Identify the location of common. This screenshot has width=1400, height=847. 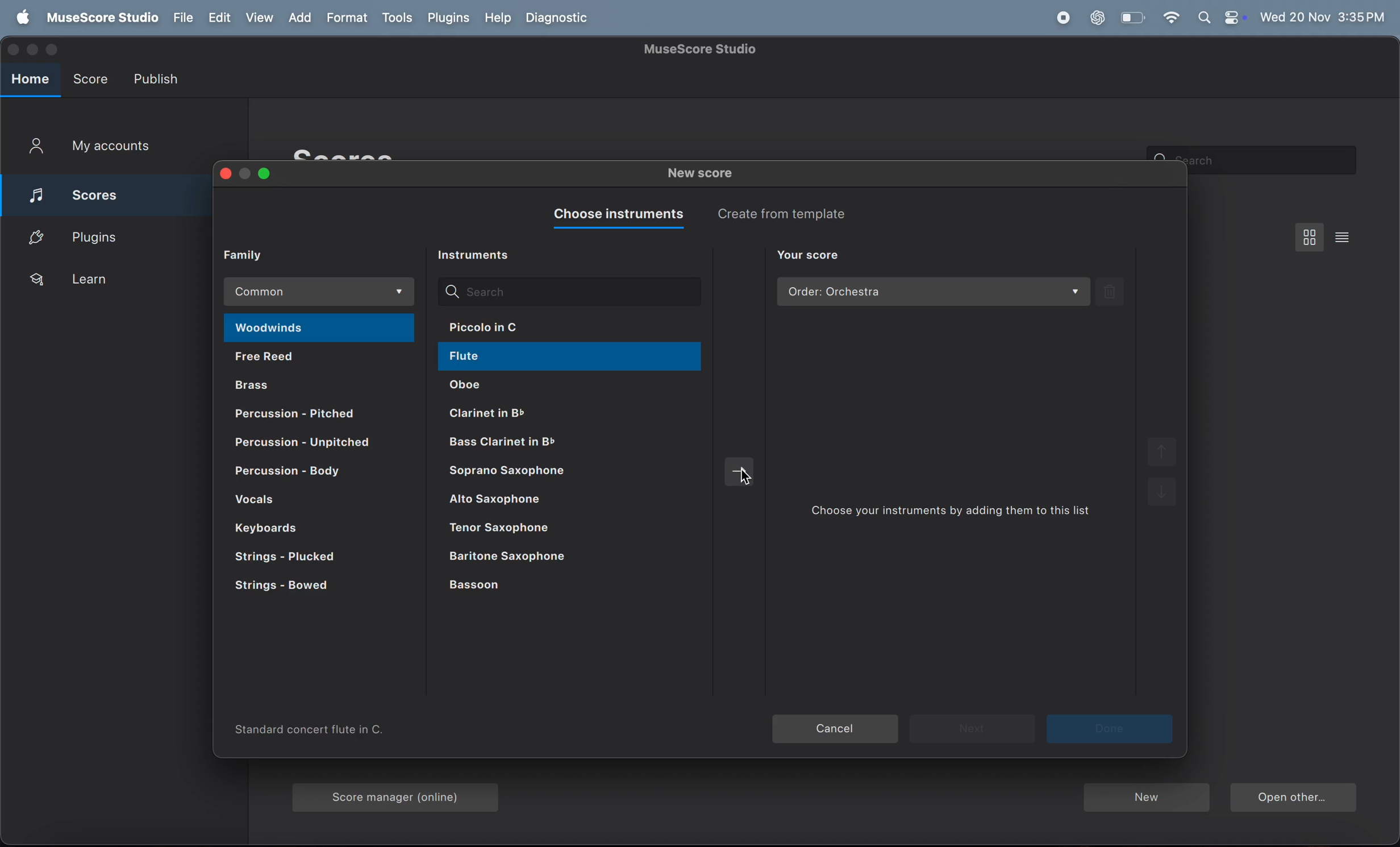
(322, 292).